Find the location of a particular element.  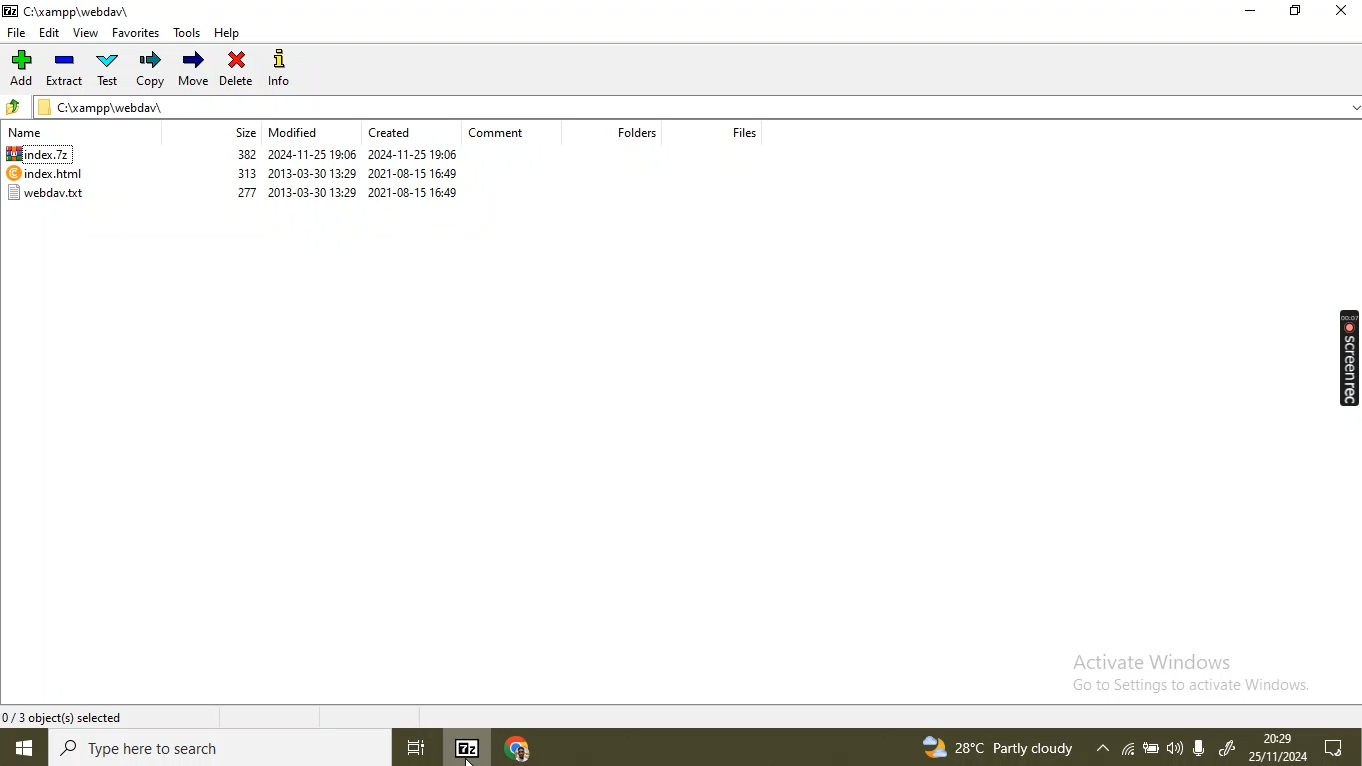

widows ink workspace is located at coordinates (1228, 750).